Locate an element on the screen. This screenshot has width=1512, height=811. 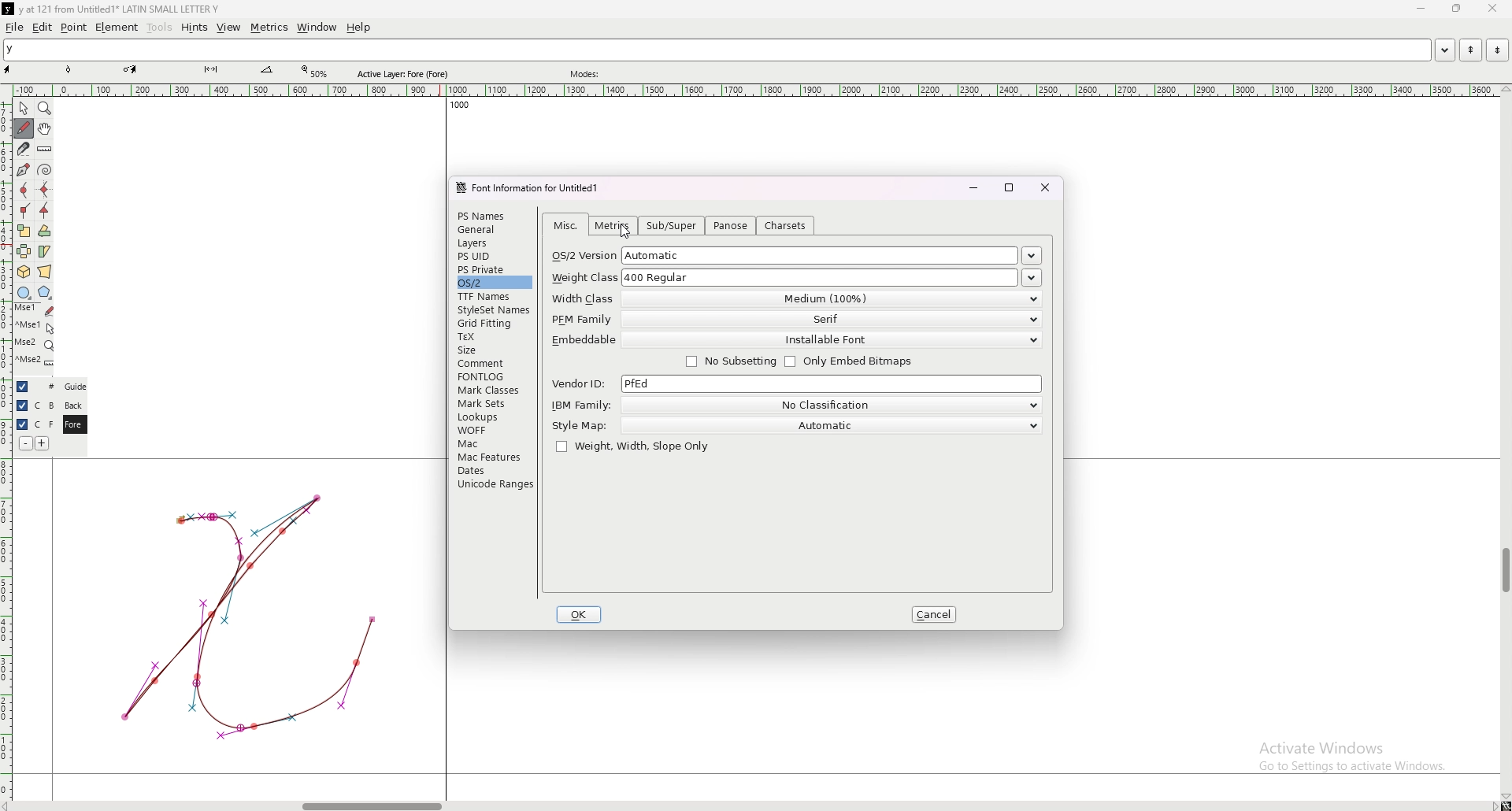
layers is located at coordinates (492, 243).